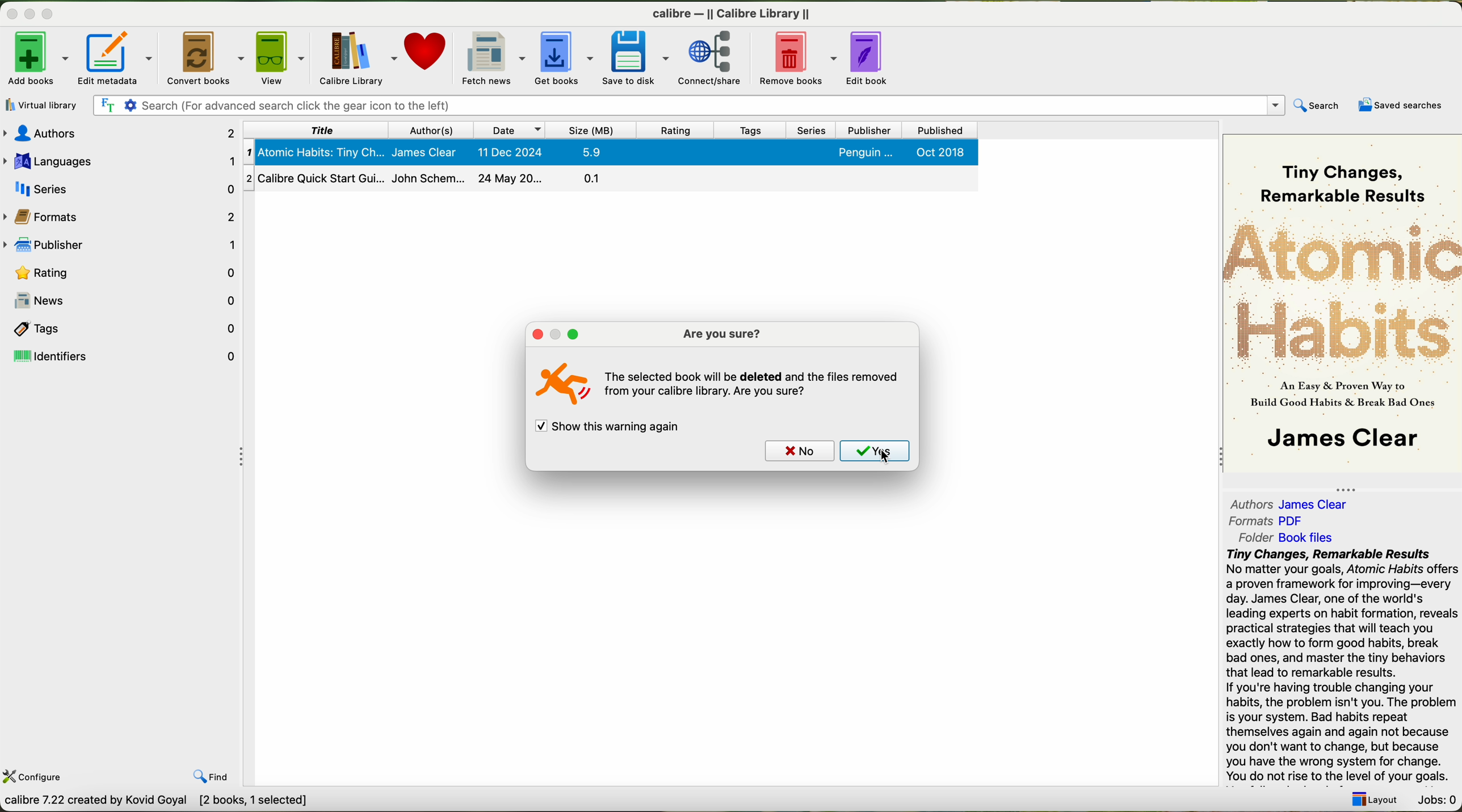  What do you see at coordinates (575, 336) in the screenshot?
I see `maximize popup` at bounding box center [575, 336].